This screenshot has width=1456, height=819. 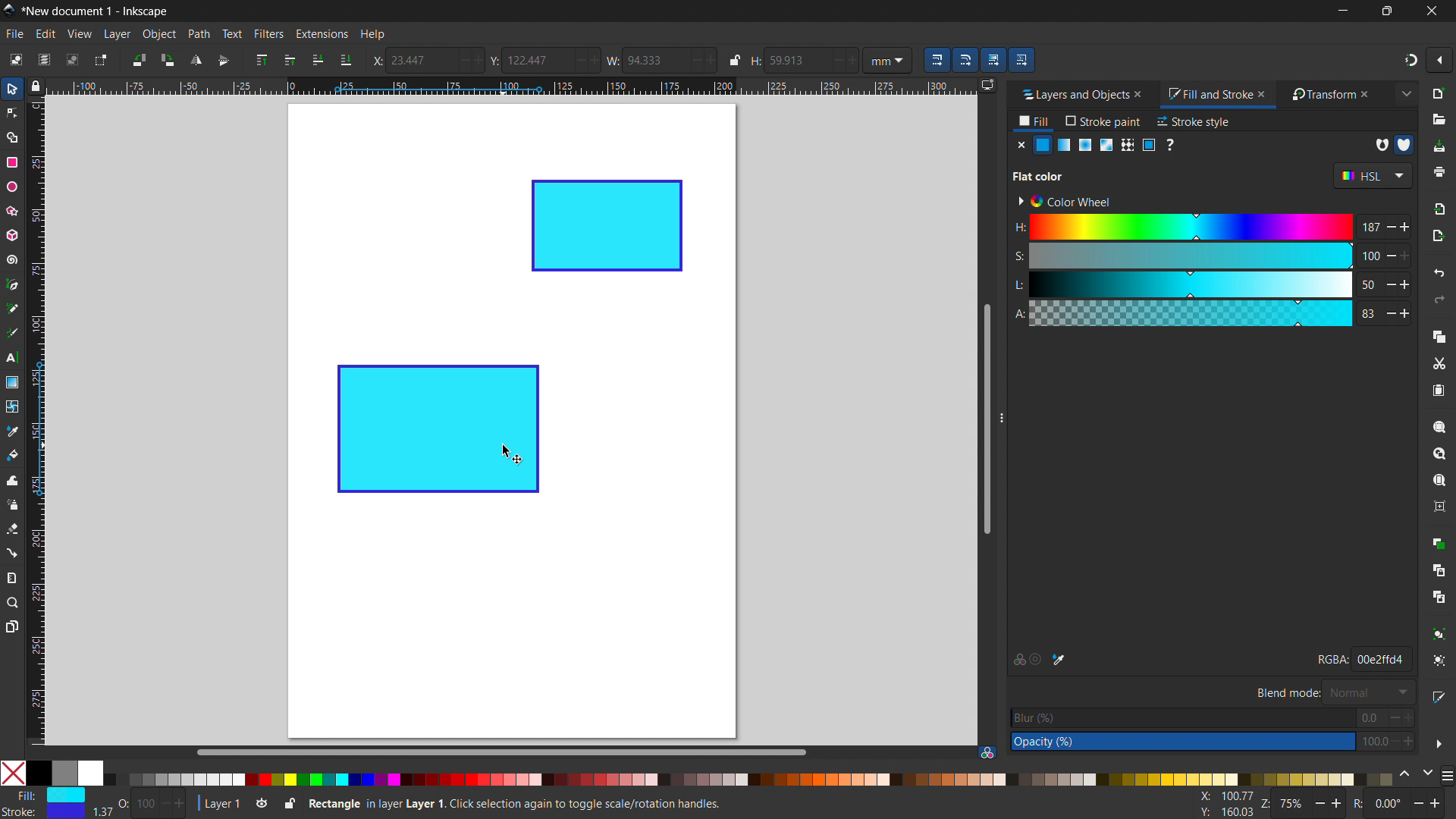 What do you see at coordinates (290, 60) in the screenshot?
I see `raise` at bounding box center [290, 60].